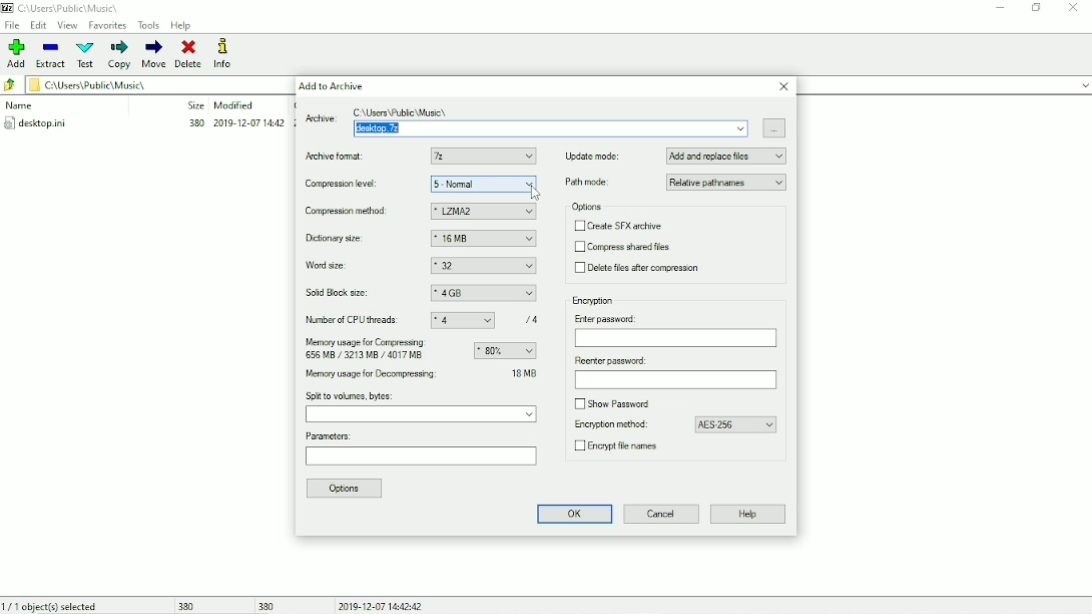 This screenshot has width=1092, height=614. Describe the element at coordinates (483, 184) in the screenshot. I see `5 - Nomal` at that location.